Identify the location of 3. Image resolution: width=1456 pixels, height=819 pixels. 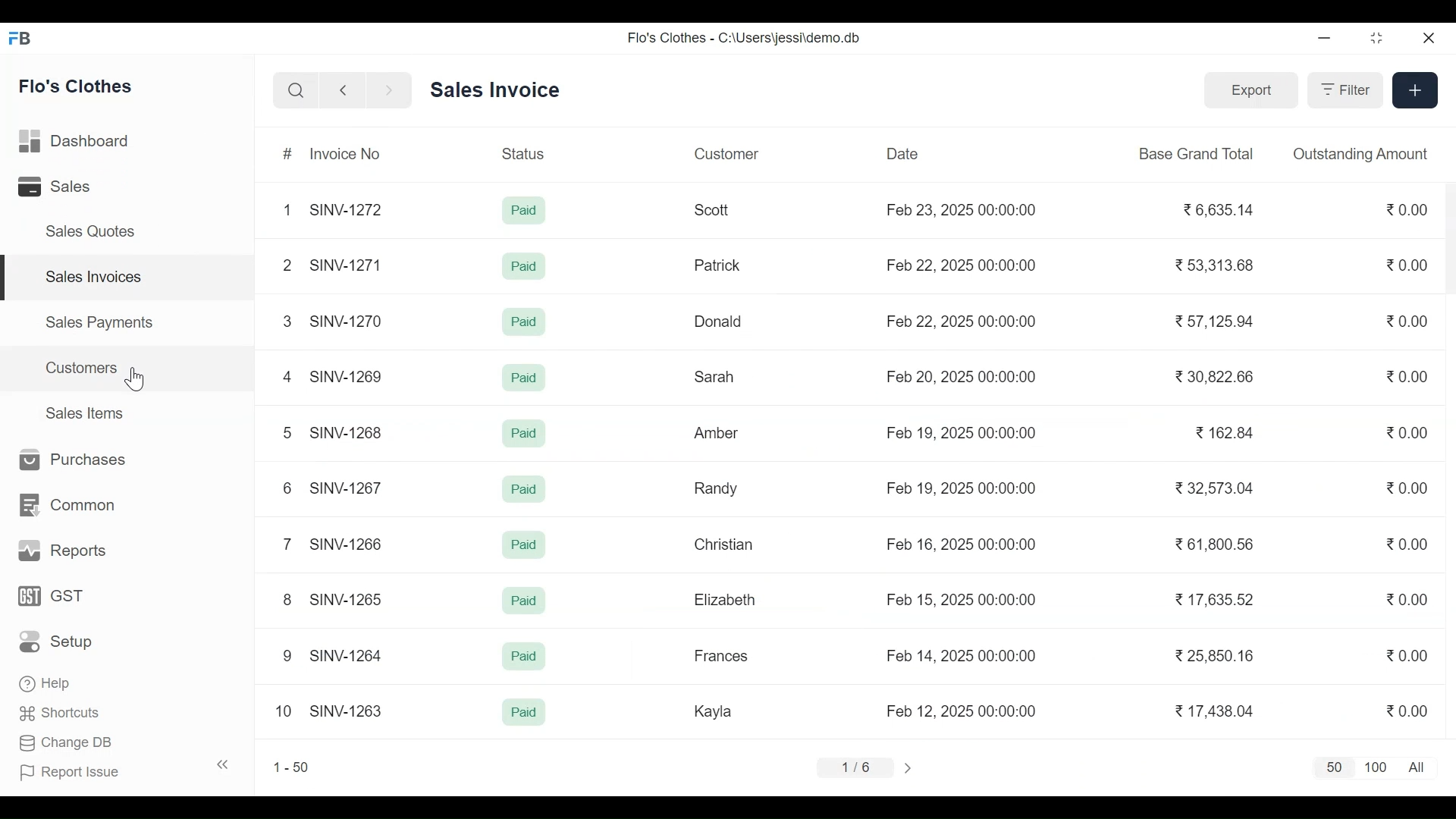
(287, 322).